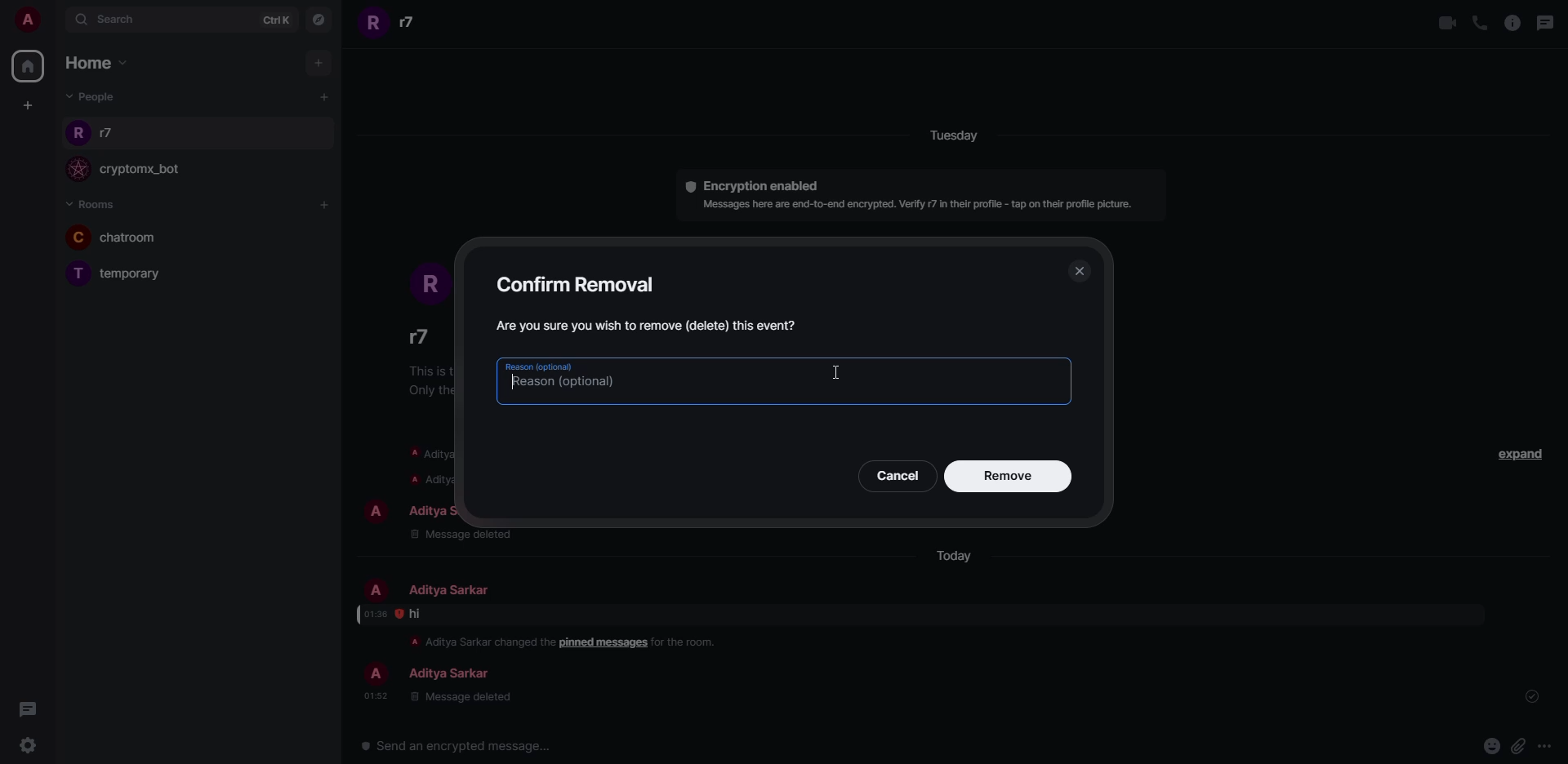 The image size is (1568, 764). Describe the element at coordinates (33, 710) in the screenshot. I see `threads` at that location.